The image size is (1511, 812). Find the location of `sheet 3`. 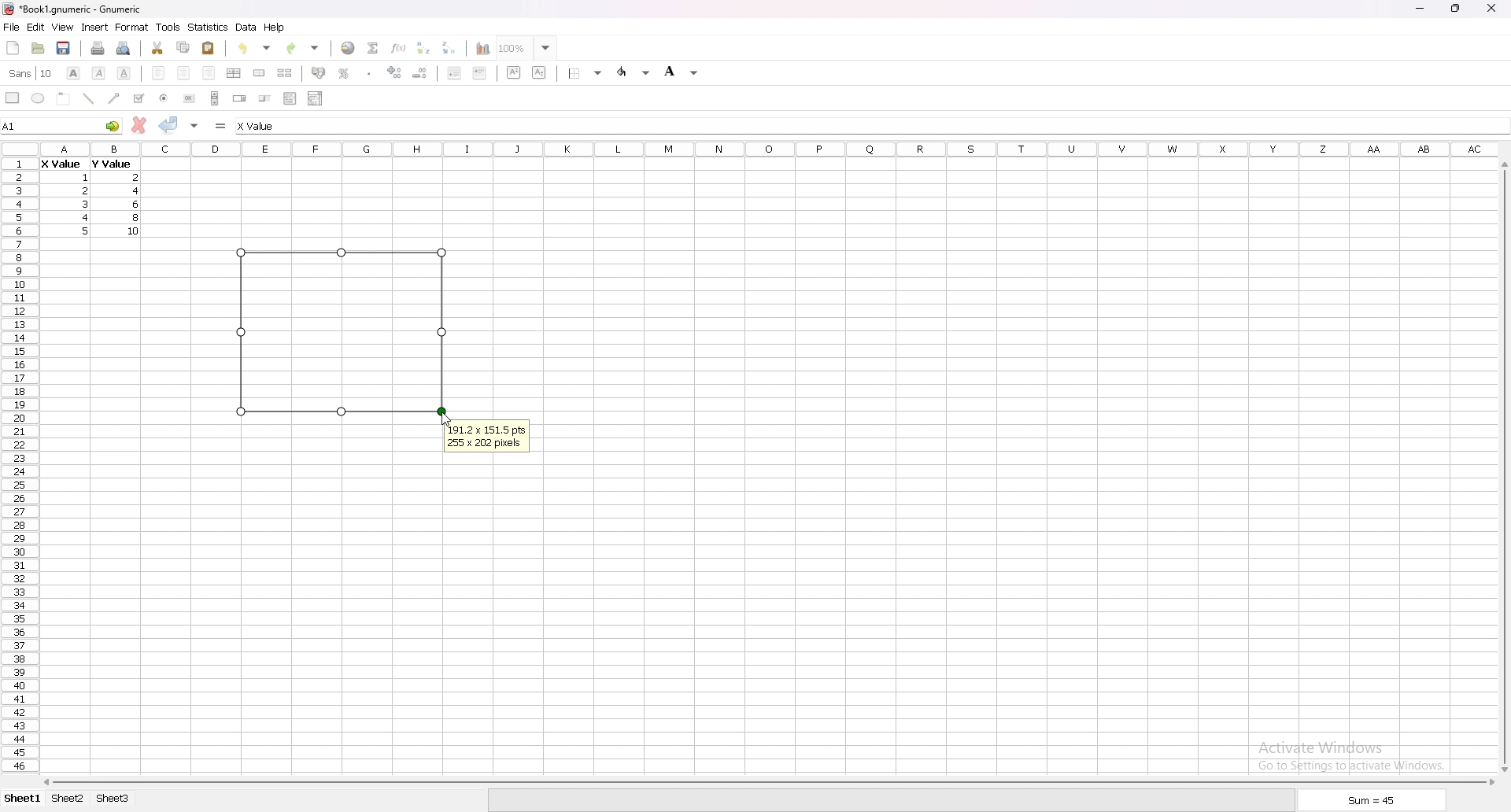

sheet 3 is located at coordinates (113, 799).